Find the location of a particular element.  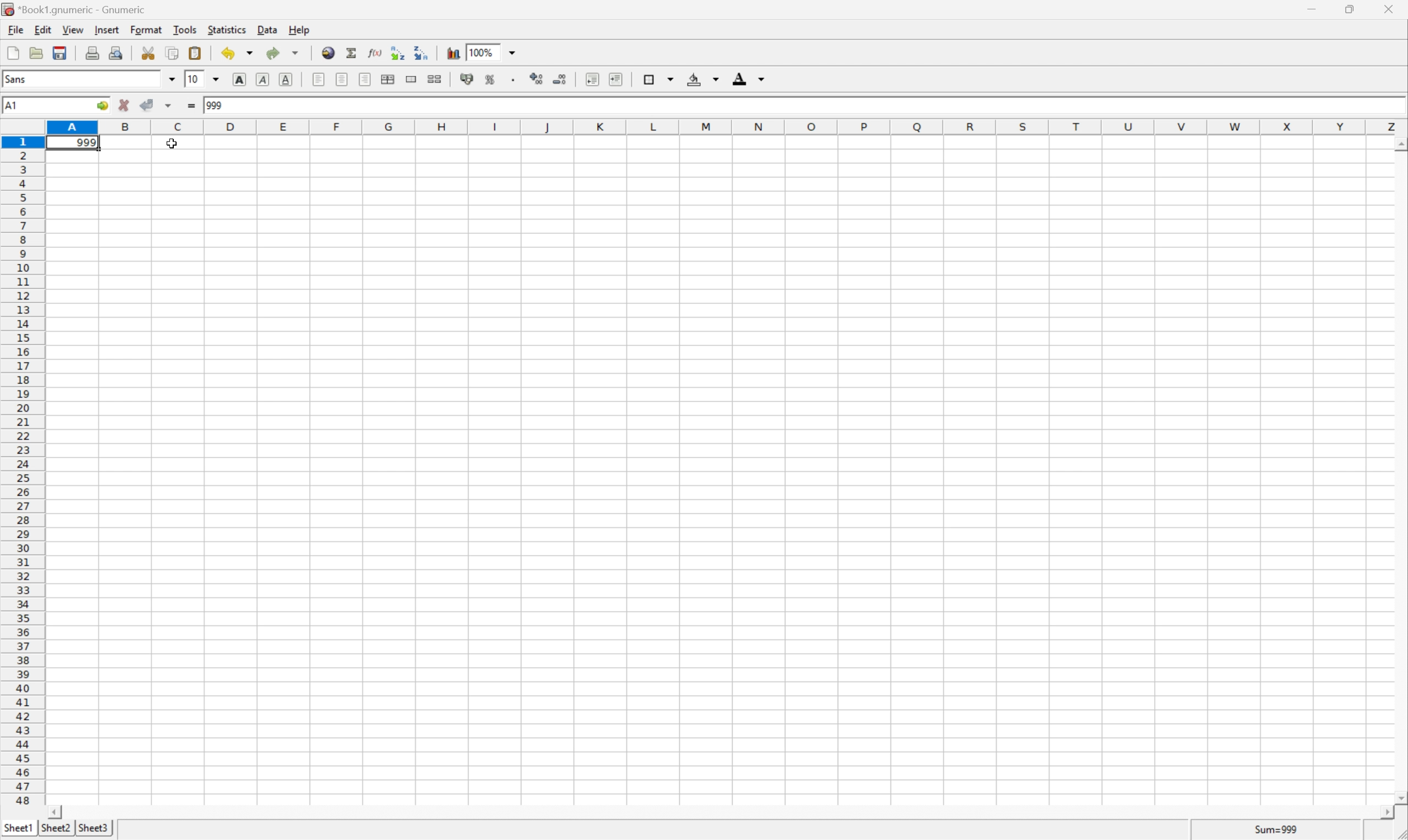

format selection as percentage is located at coordinates (491, 80).